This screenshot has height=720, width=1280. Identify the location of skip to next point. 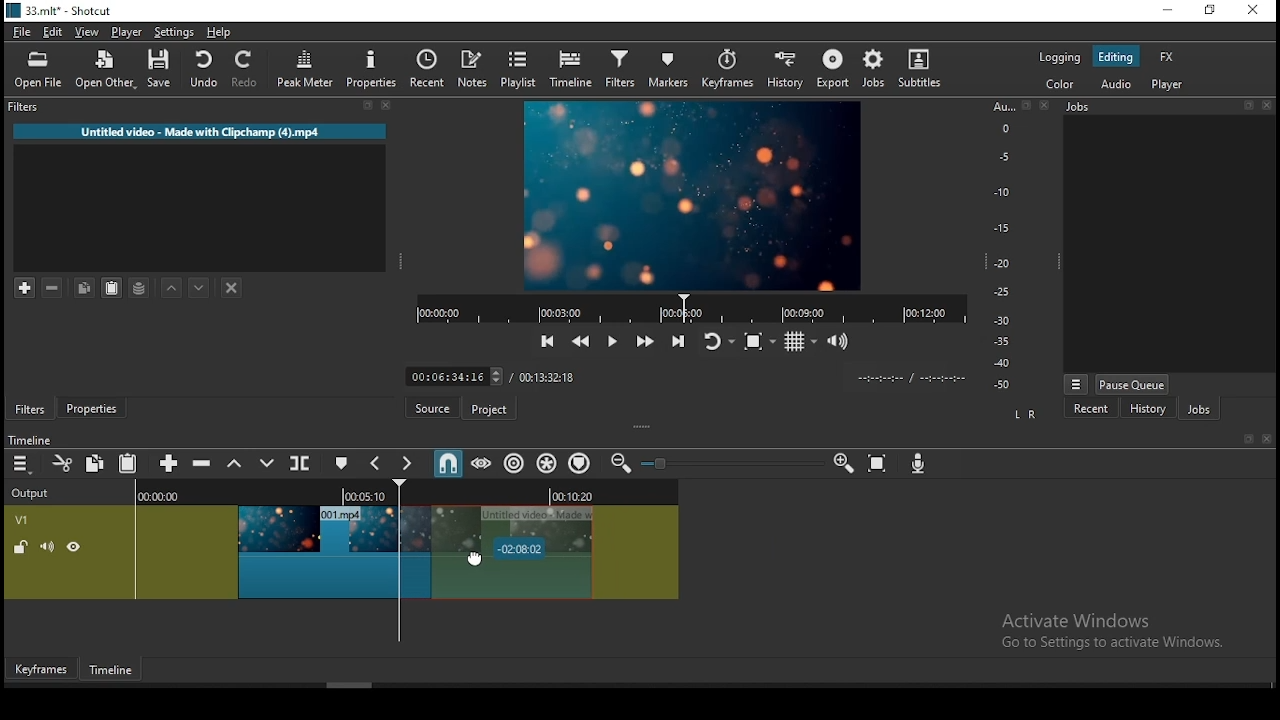
(675, 341).